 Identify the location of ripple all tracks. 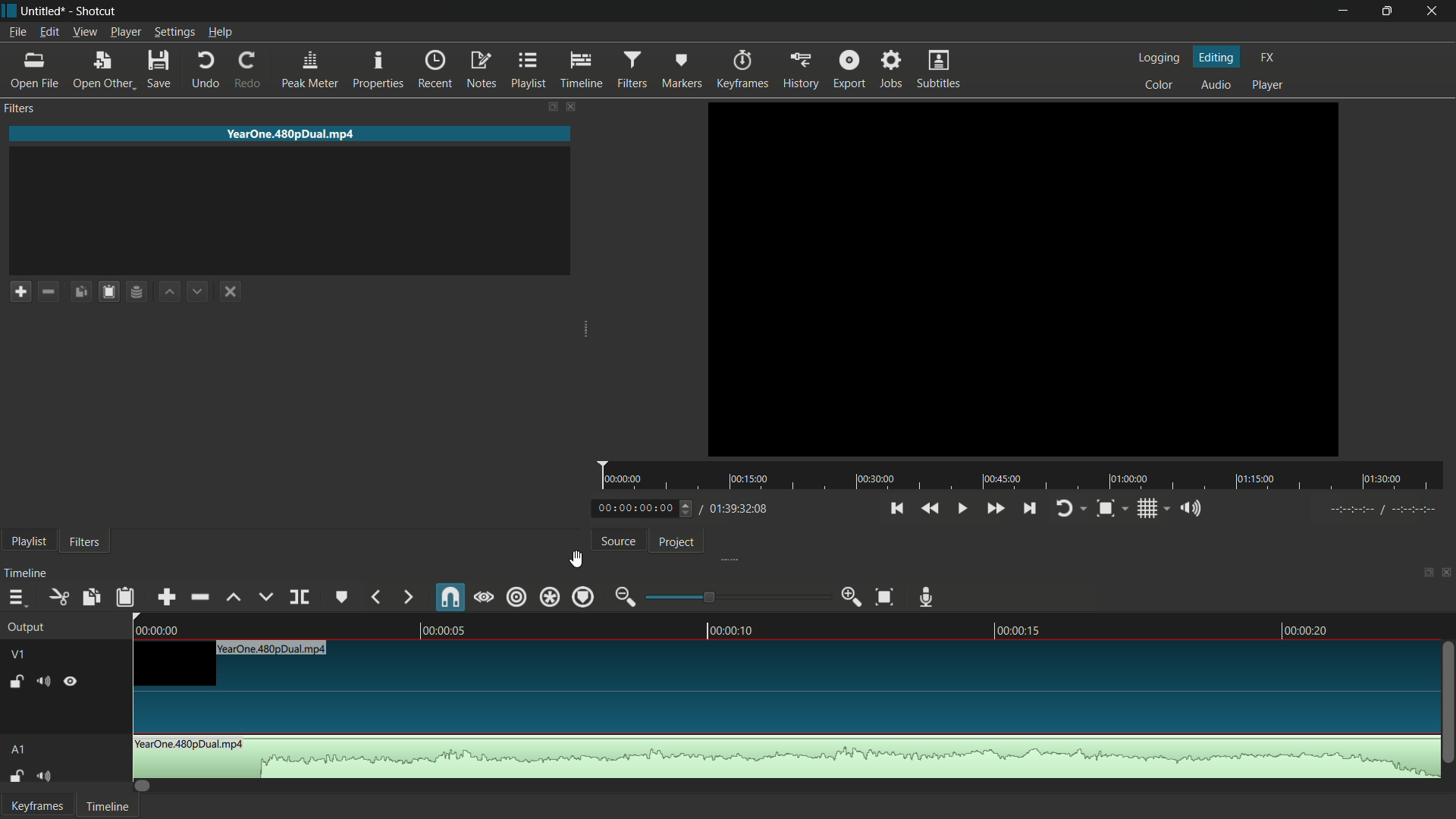
(550, 596).